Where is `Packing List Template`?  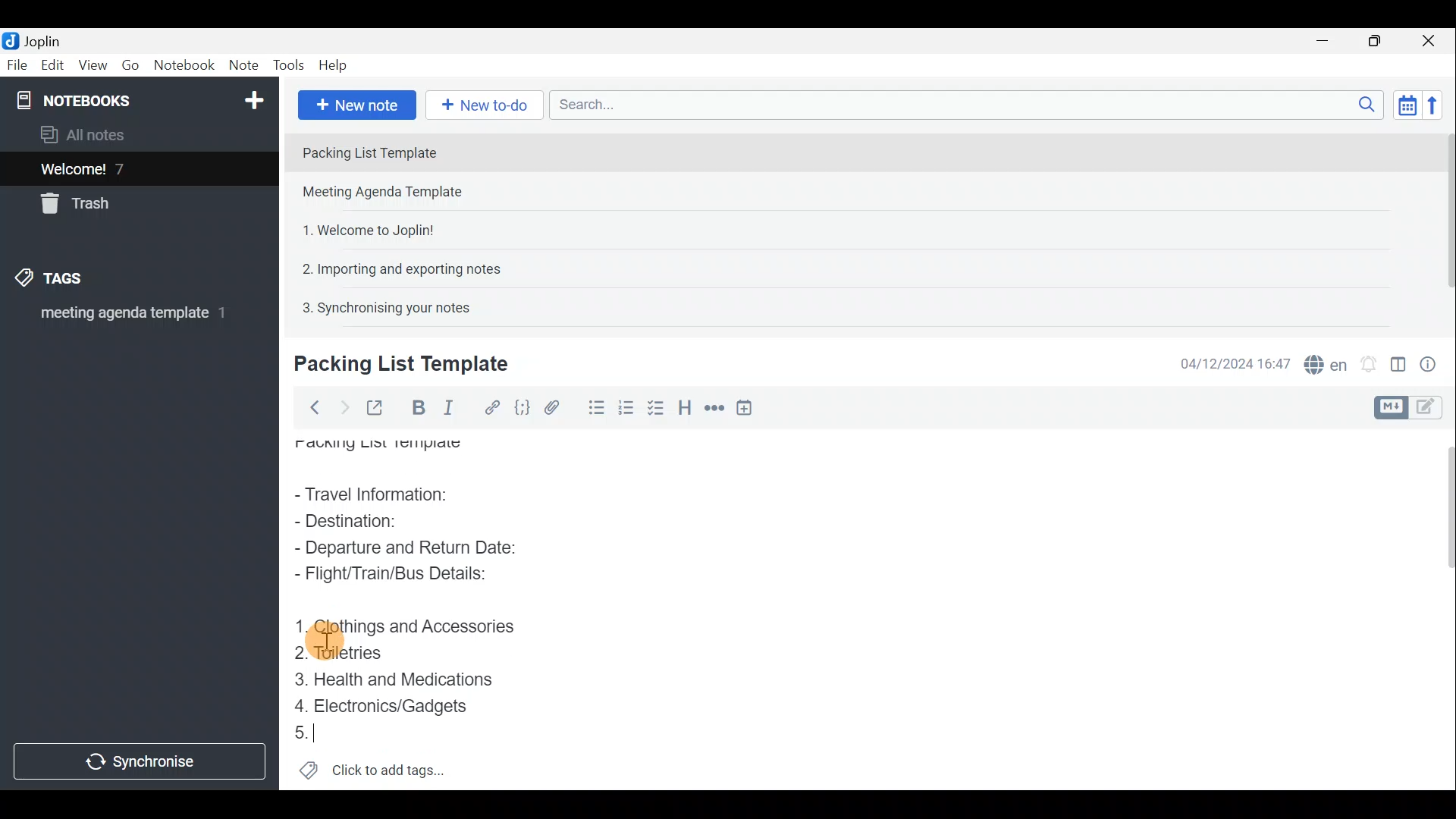 Packing List Template is located at coordinates (375, 446).